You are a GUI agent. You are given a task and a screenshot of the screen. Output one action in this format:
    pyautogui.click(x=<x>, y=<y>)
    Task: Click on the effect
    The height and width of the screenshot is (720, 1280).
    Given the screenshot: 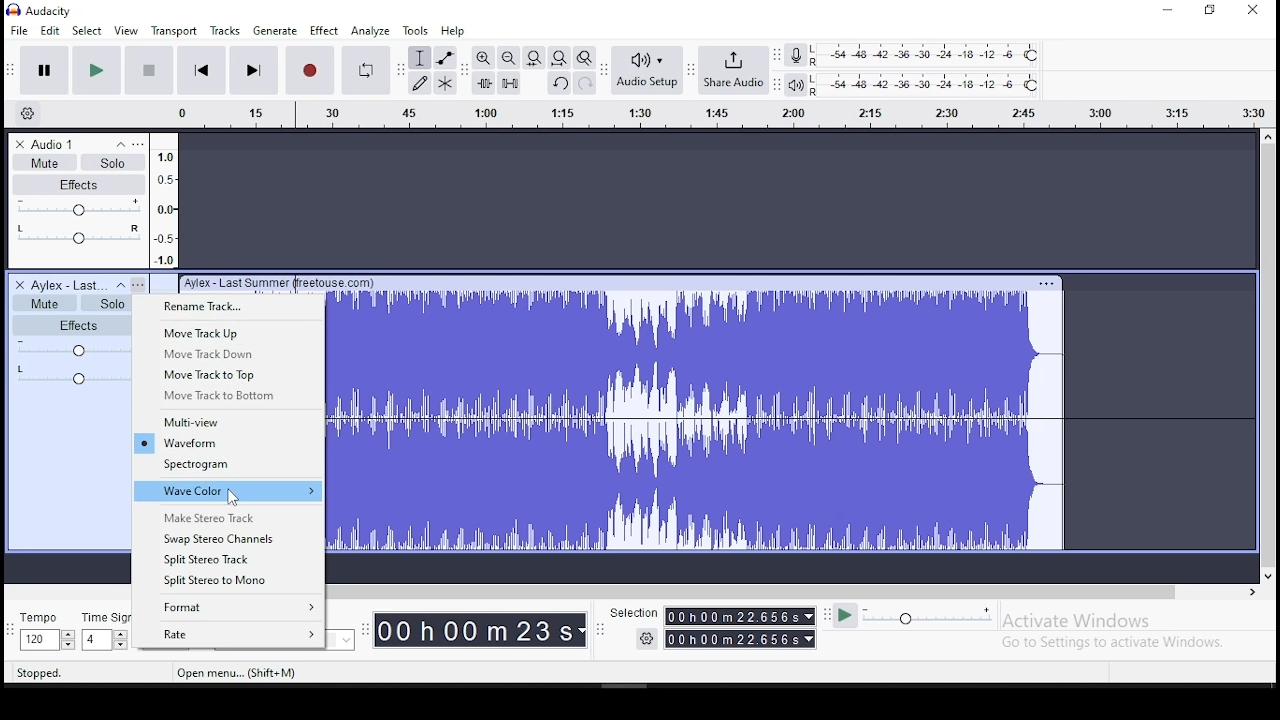 What is the action you would take?
    pyautogui.click(x=326, y=30)
    